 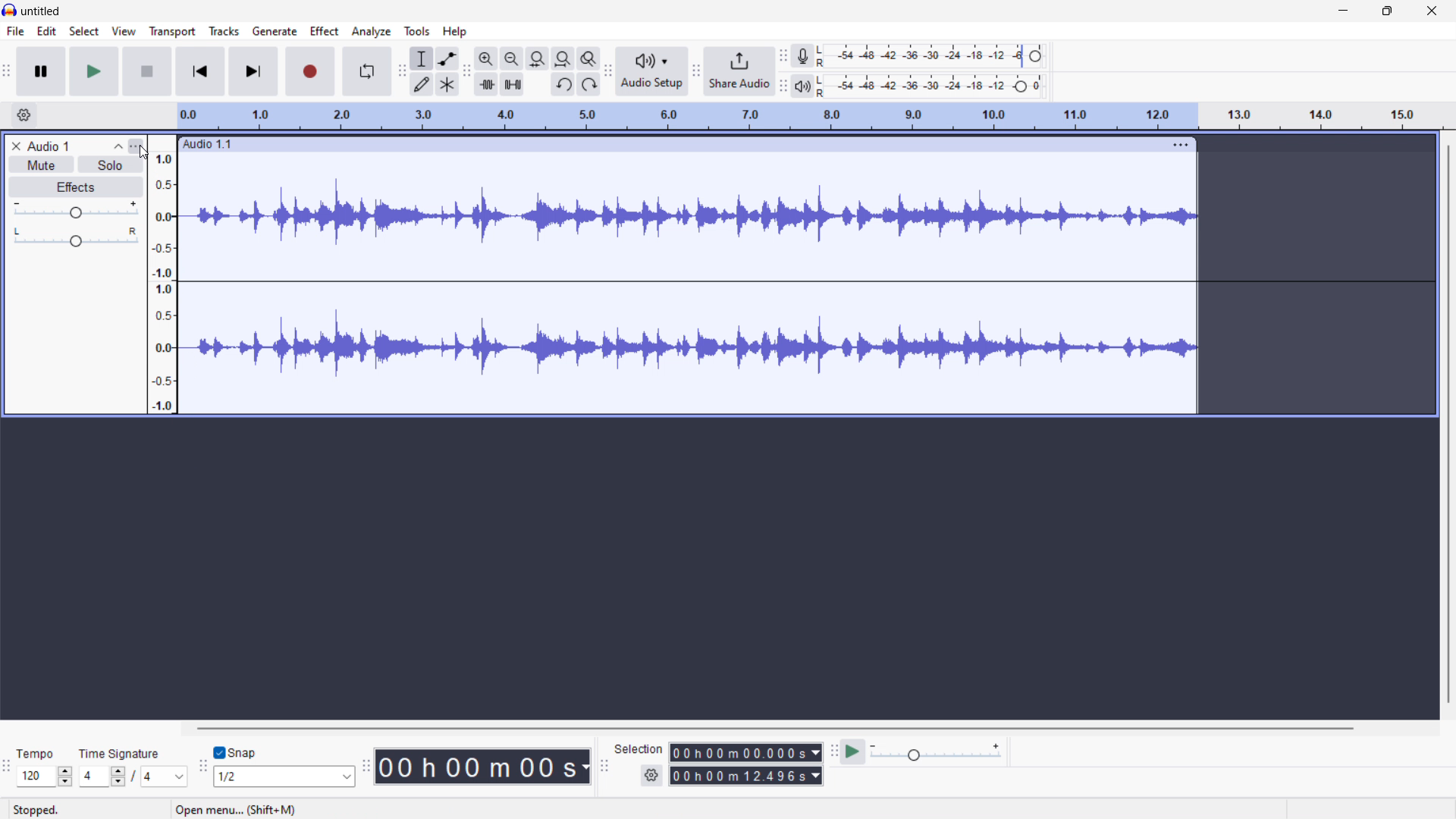 What do you see at coordinates (367, 72) in the screenshot?
I see `enable loop` at bounding box center [367, 72].